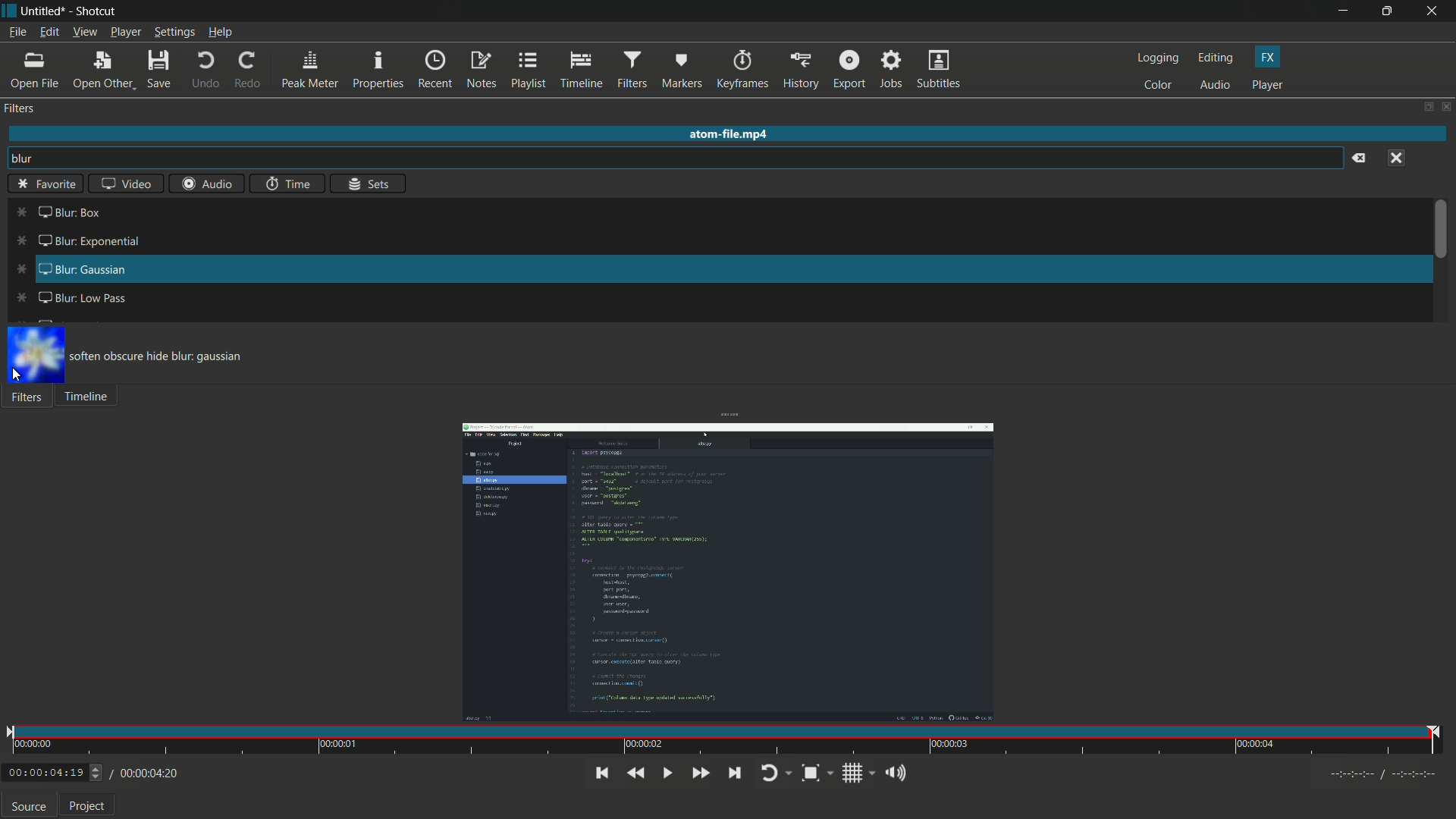  I want to click on view menu, so click(83, 33).